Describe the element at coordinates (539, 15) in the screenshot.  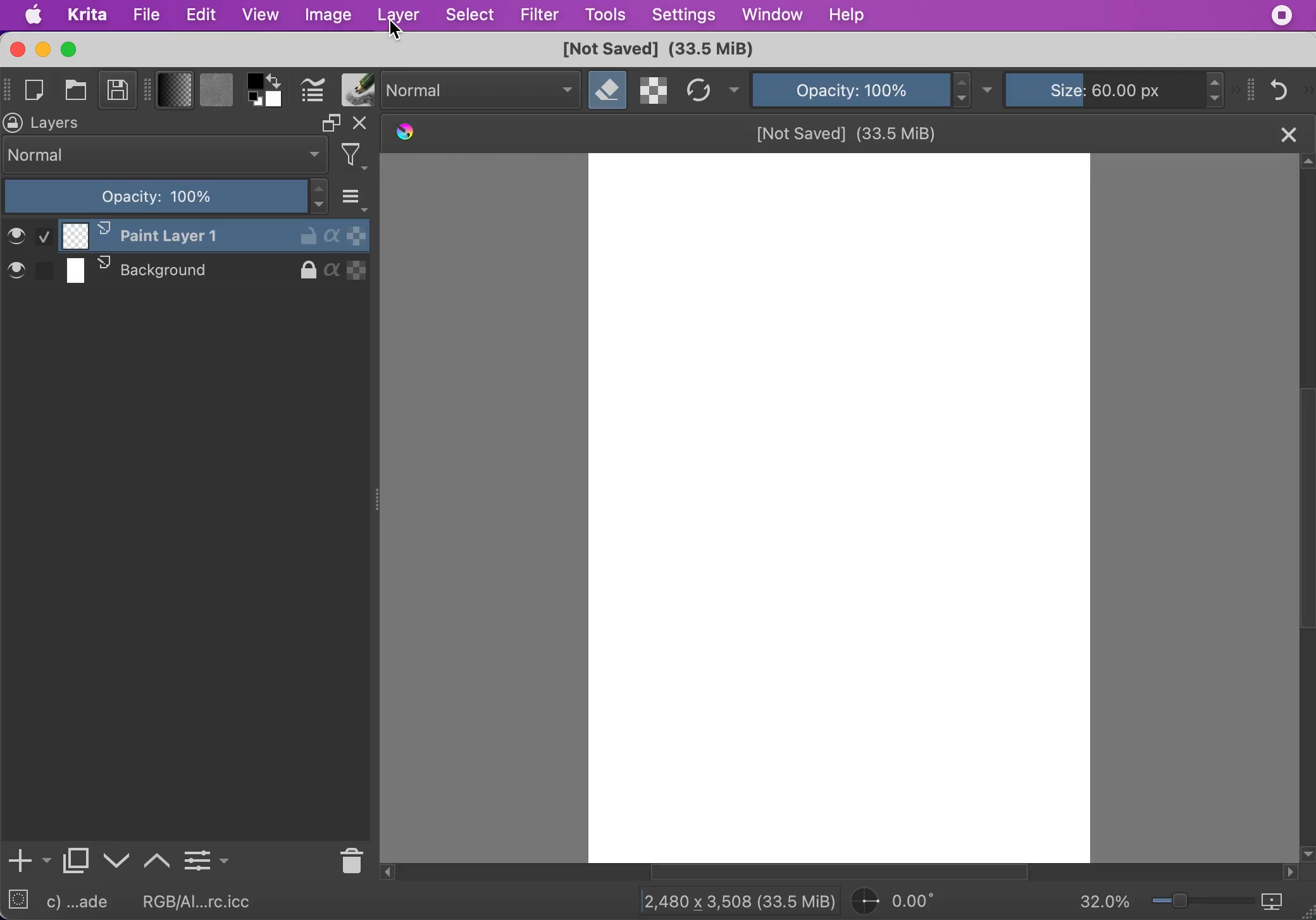
I see `filter` at that location.